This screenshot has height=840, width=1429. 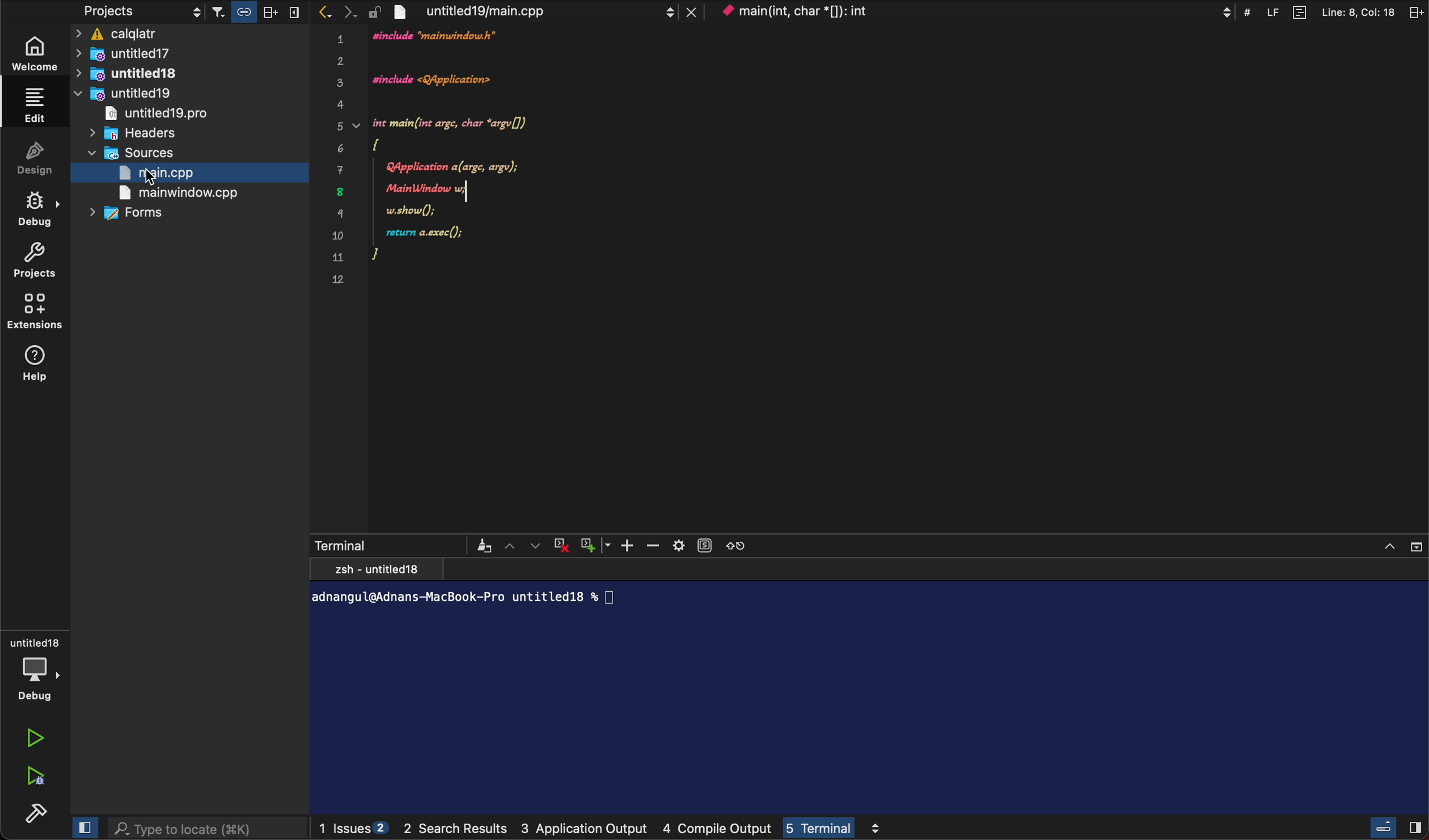 I want to click on debug, so click(x=36, y=666).